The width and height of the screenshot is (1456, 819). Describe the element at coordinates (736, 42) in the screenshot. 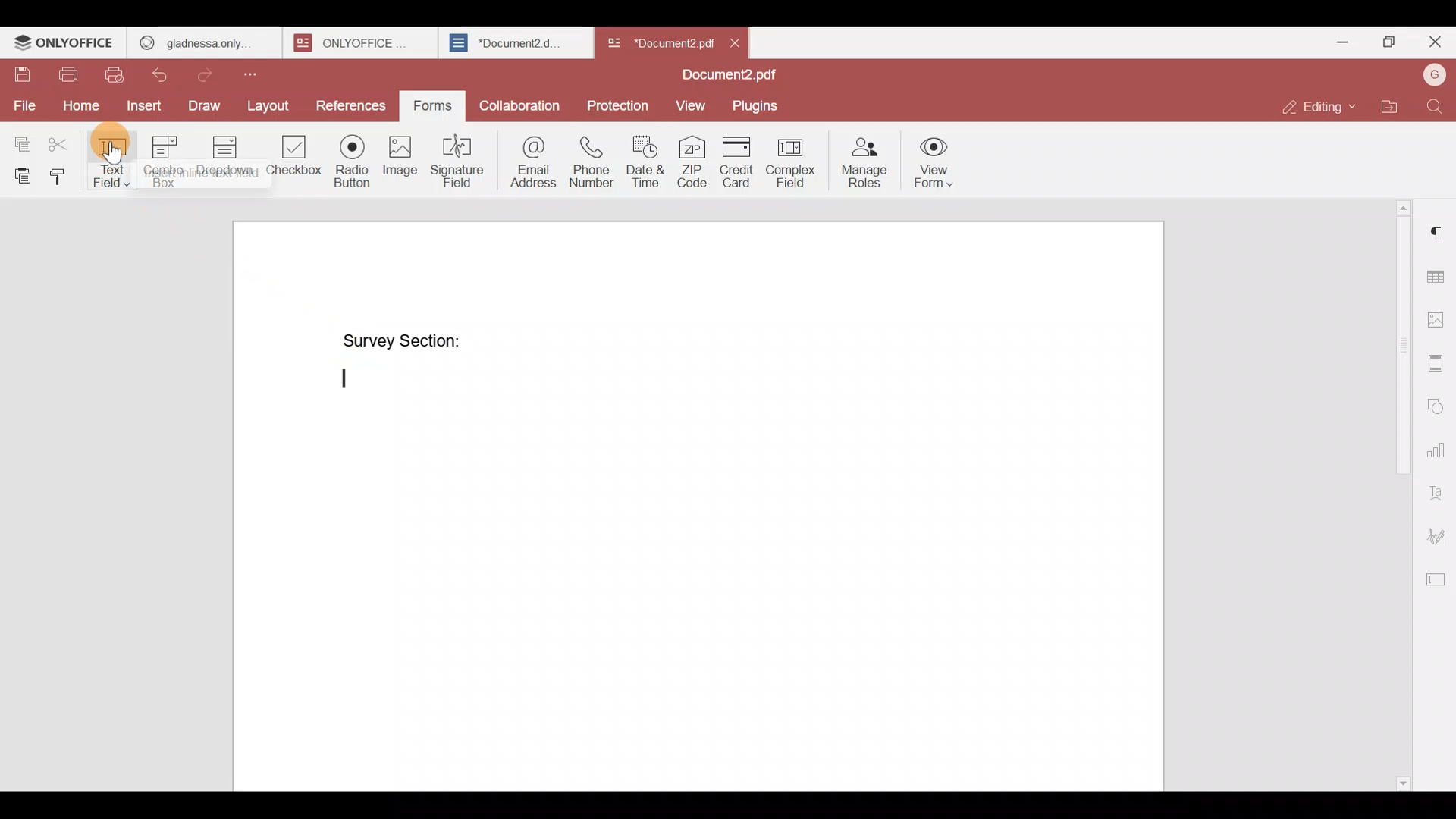

I see `Close` at that location.